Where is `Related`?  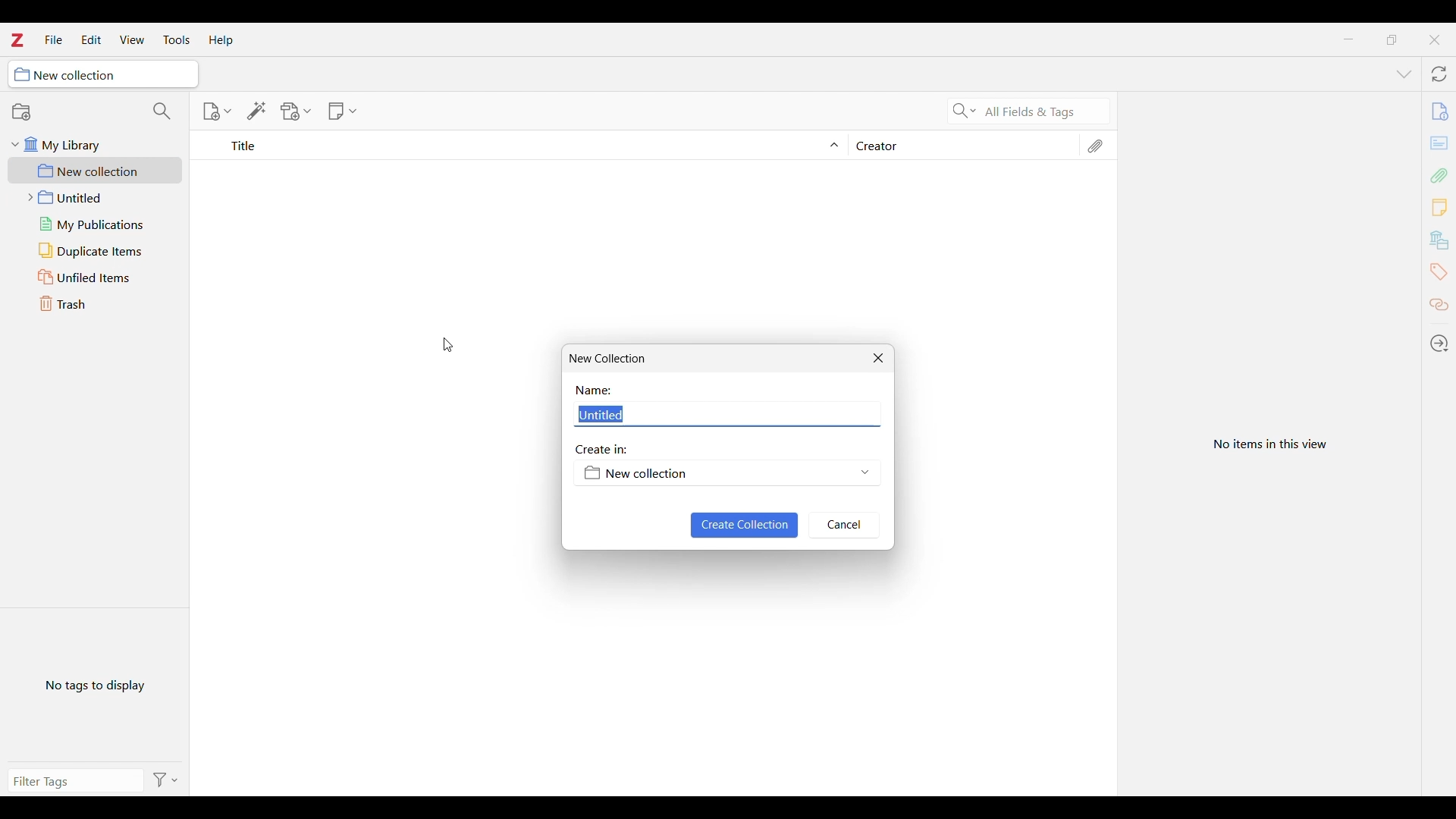 Related is located at coordinates (1439, 306).